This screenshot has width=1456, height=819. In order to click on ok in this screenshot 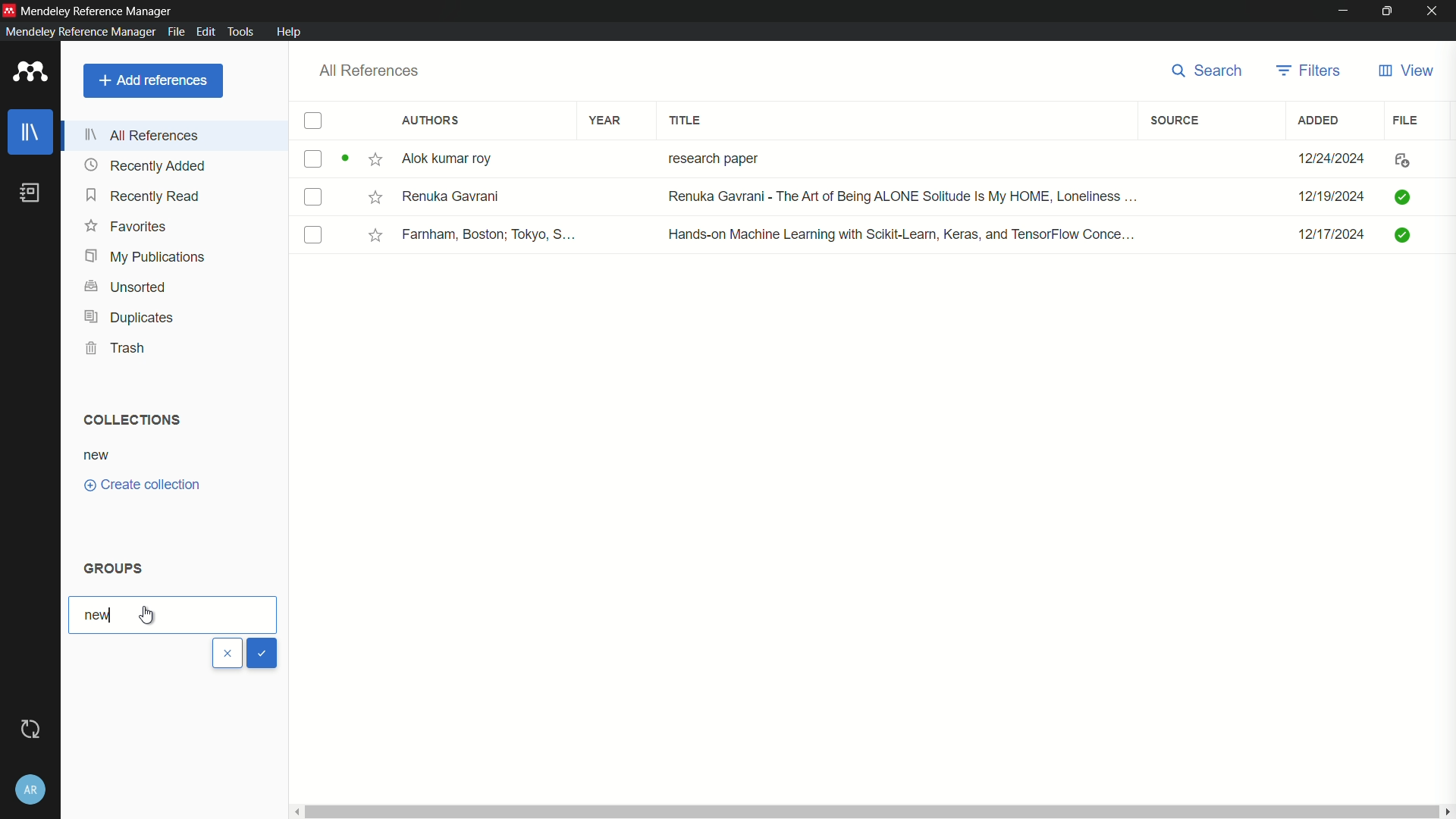, I will do `click(262, 652)`.